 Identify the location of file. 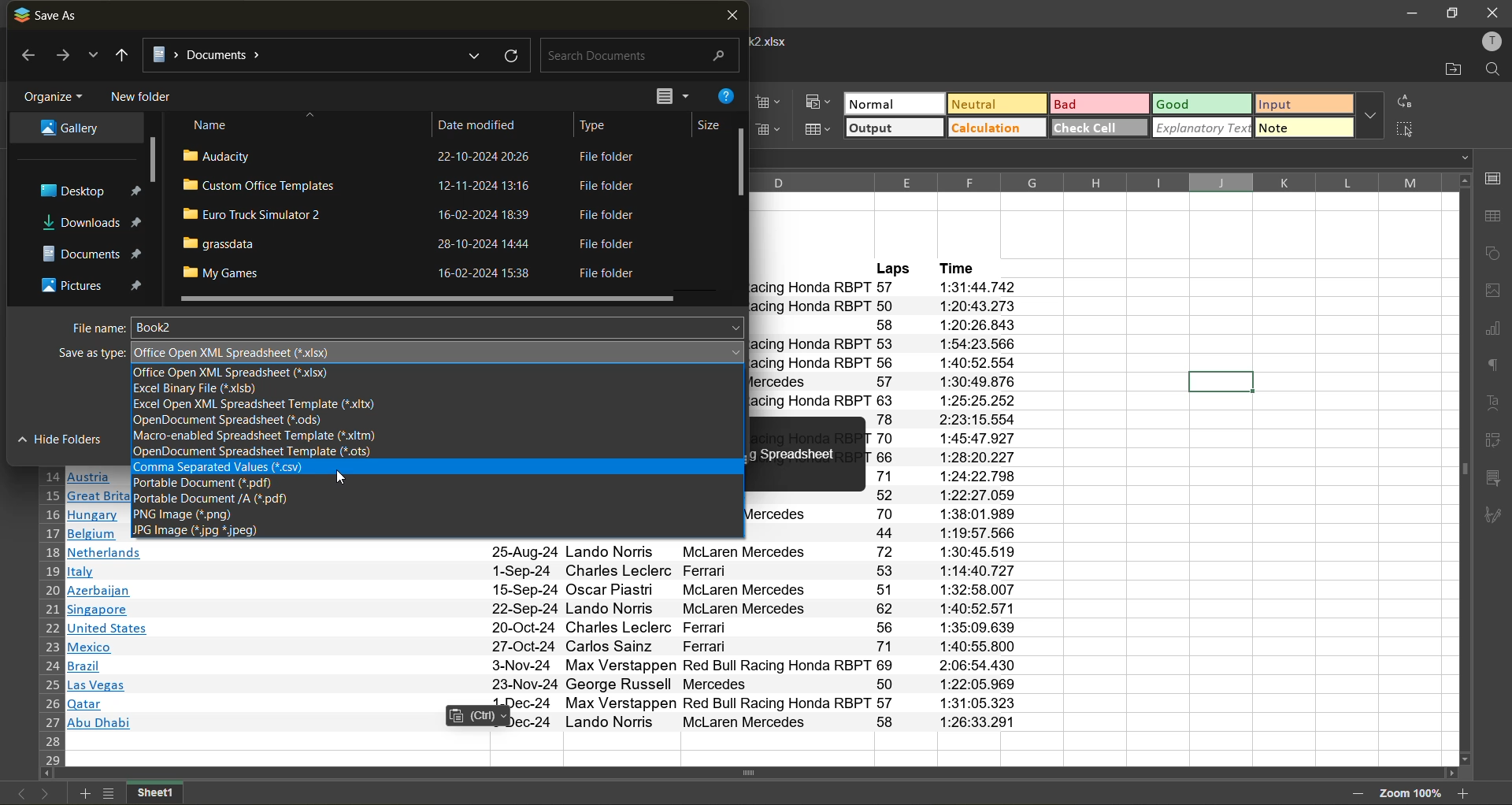
(406, 158).